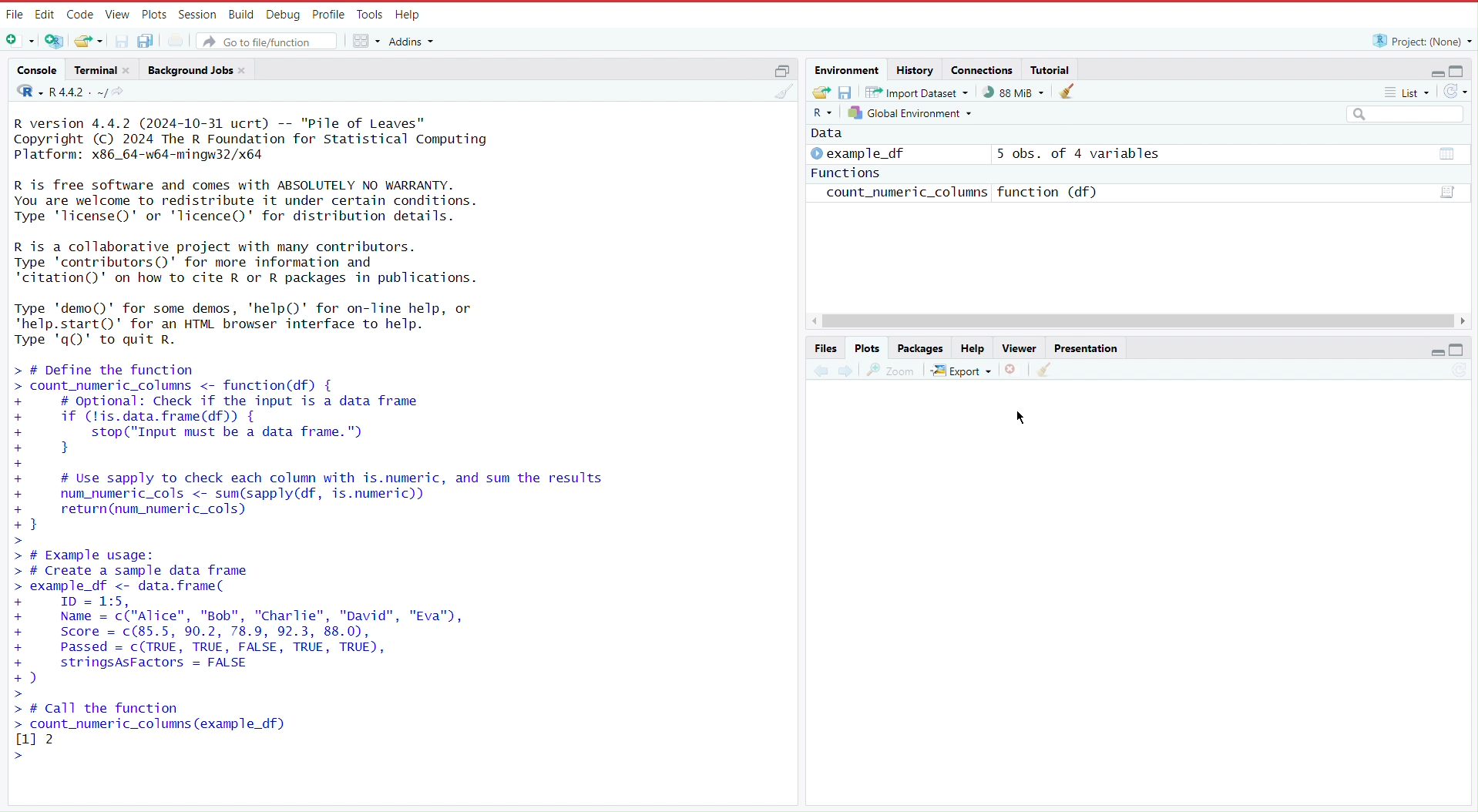  Describe the element at coordinates (892, 367) in the screenshot. I see `Zoom` at that location.